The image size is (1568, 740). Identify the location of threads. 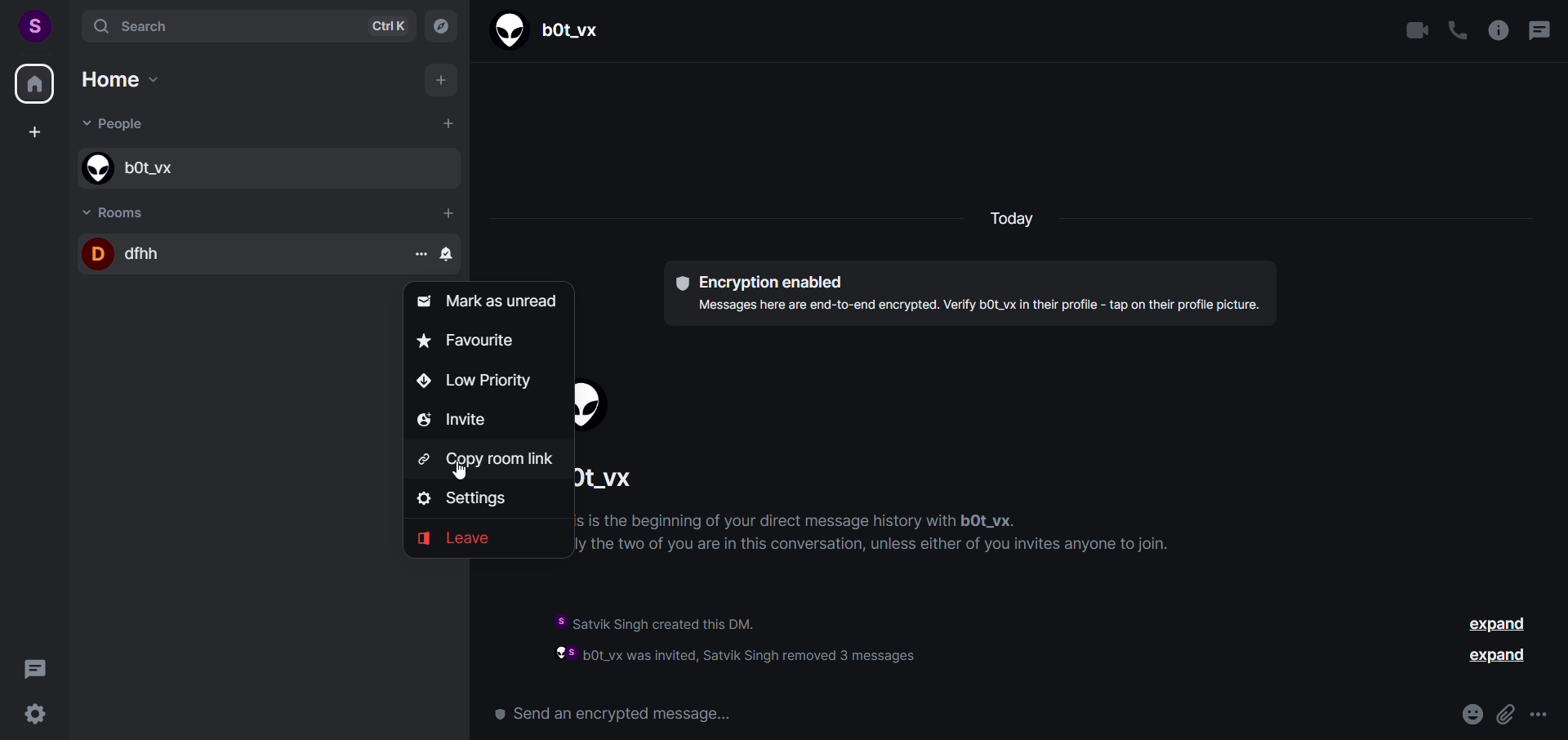
(1538, 33).